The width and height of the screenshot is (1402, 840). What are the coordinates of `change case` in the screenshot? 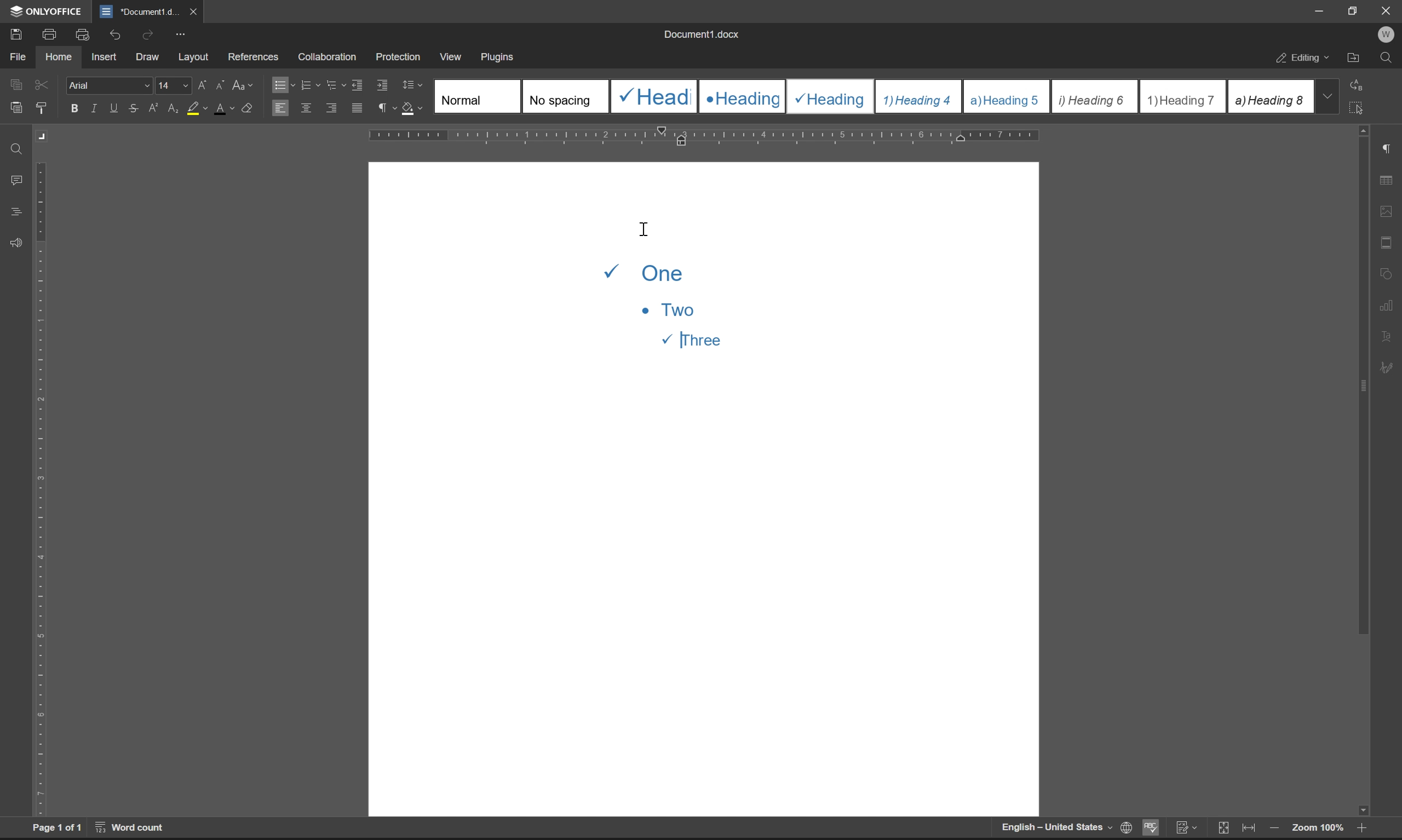 It's located at (244, 84).